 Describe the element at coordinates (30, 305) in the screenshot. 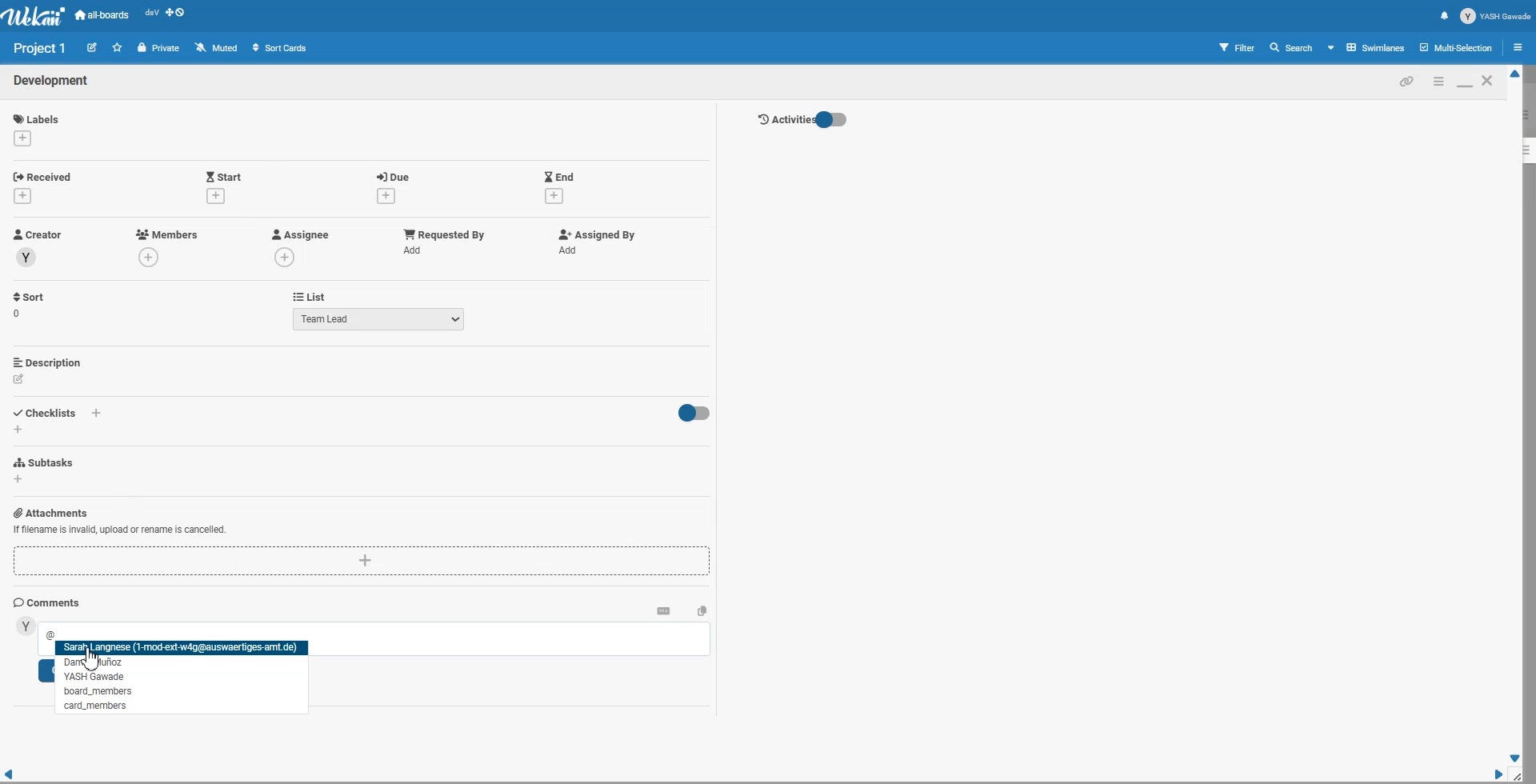

I see `Sort` at that location.